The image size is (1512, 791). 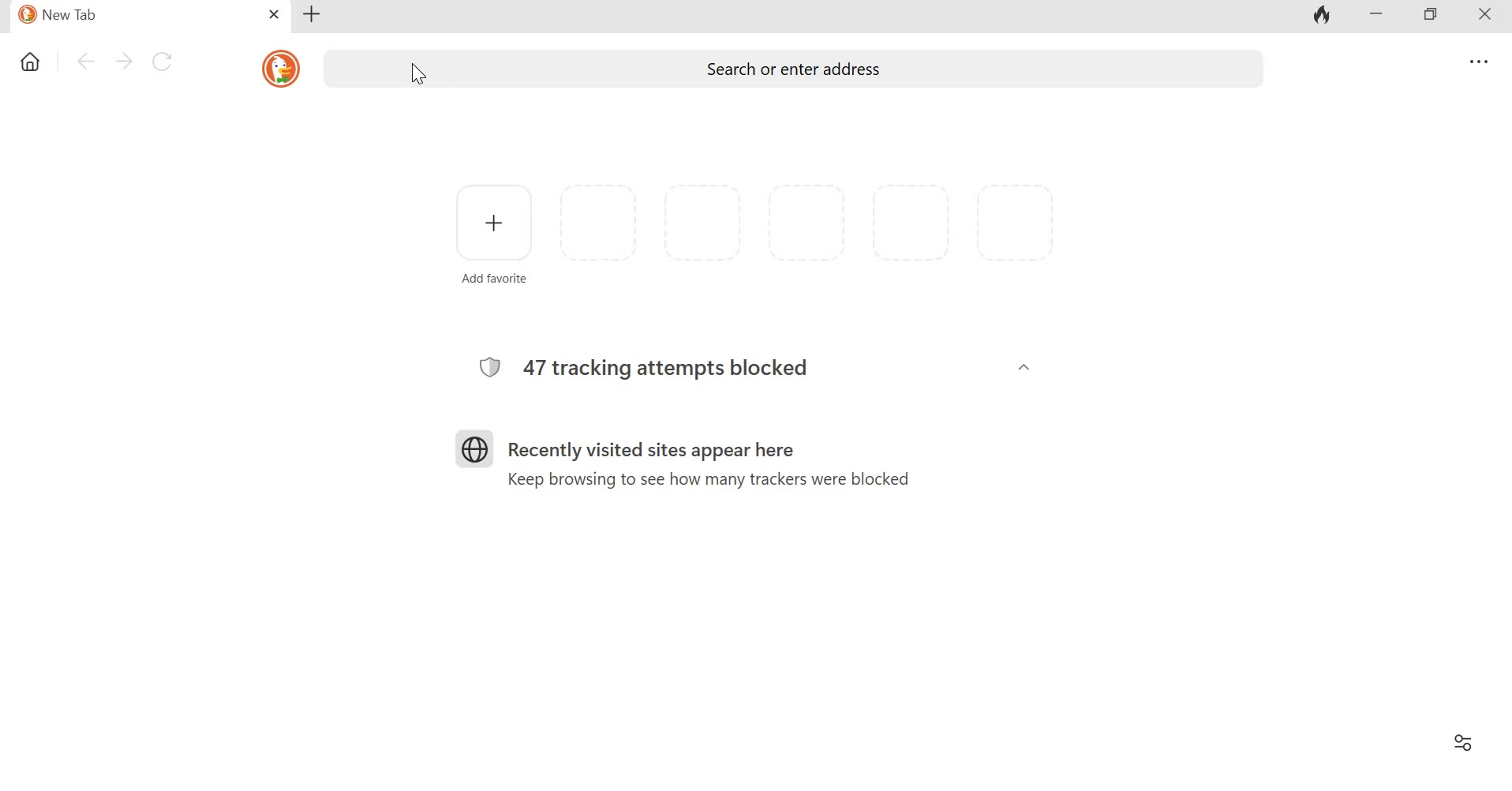 I want to click on Search or enter address, so click(x=845, y=69).